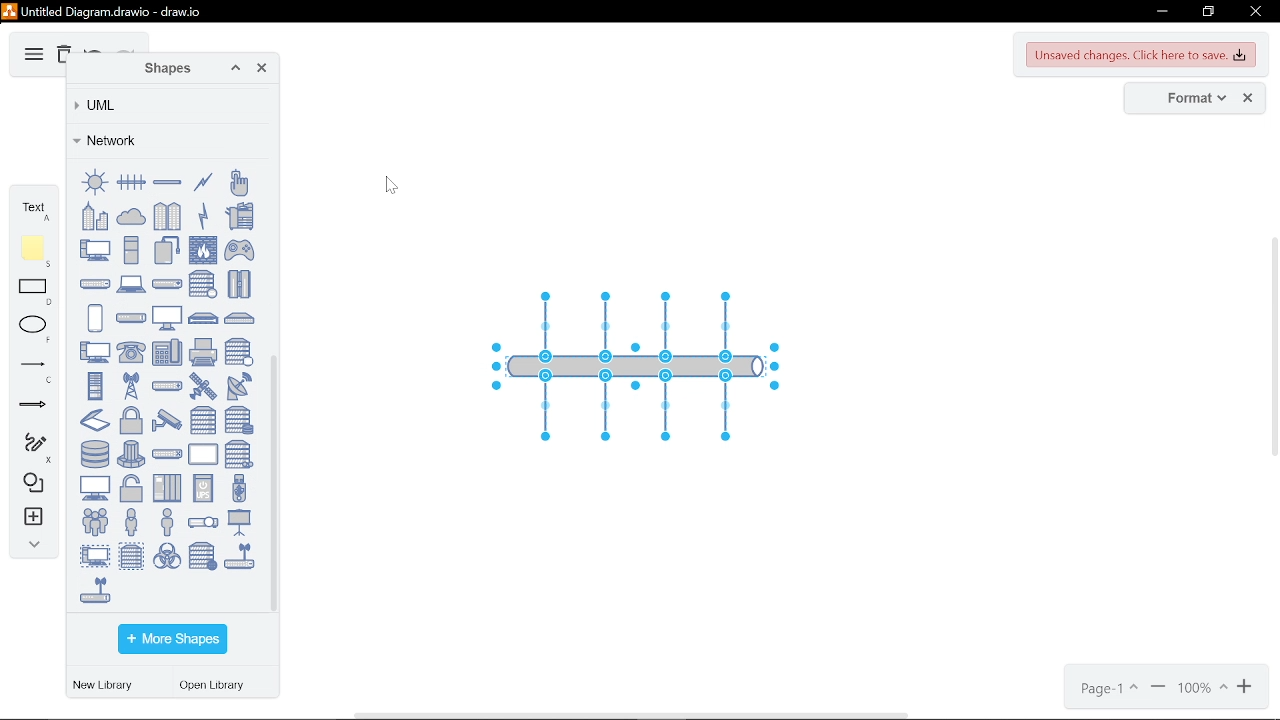  I want to click on minimize, so click(1160, 12).